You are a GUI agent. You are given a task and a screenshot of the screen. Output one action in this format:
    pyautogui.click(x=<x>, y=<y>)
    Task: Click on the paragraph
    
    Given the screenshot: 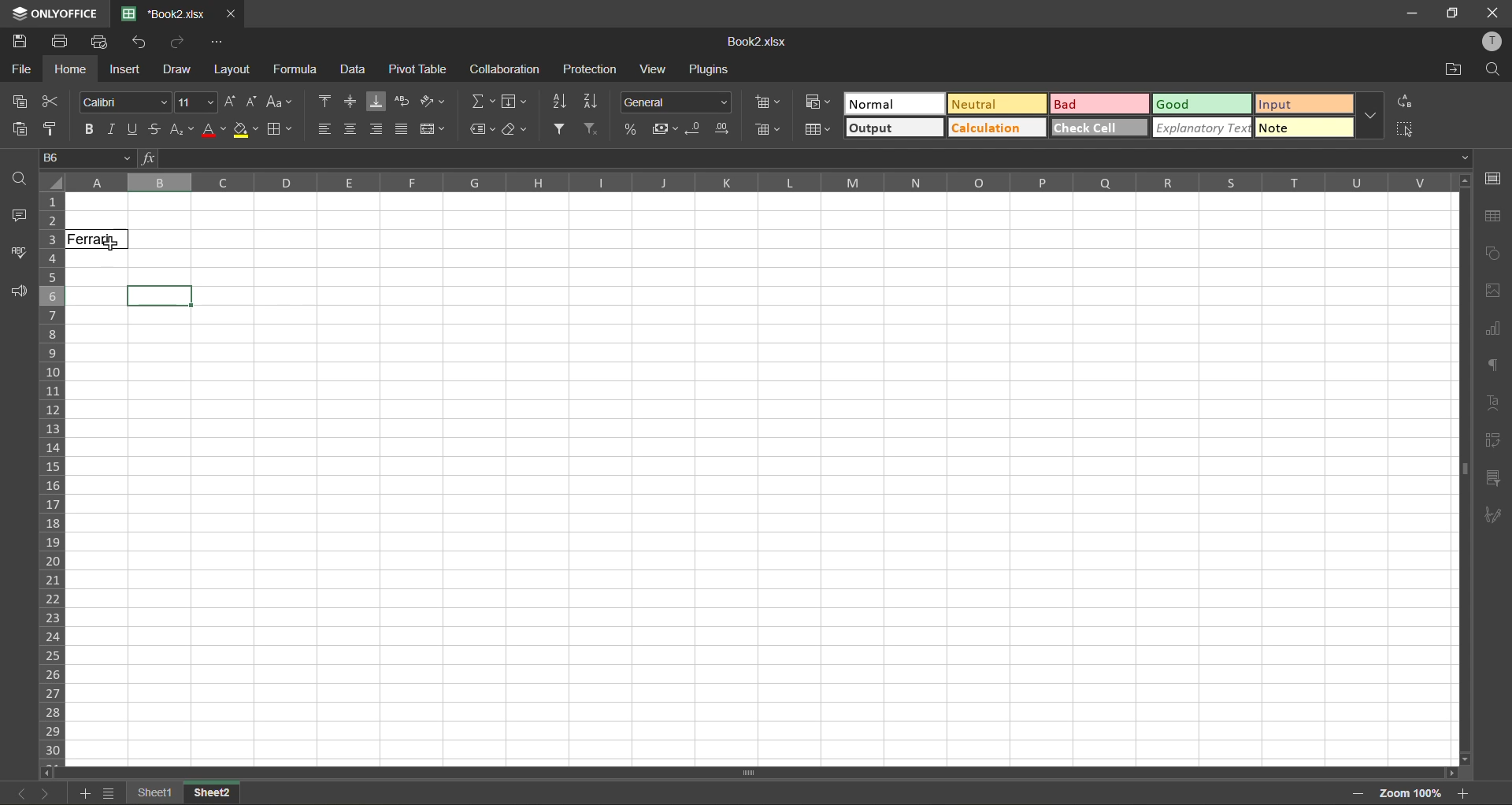 What is the action you would take?
    pyautogui.click(x=1494, y=367)
    